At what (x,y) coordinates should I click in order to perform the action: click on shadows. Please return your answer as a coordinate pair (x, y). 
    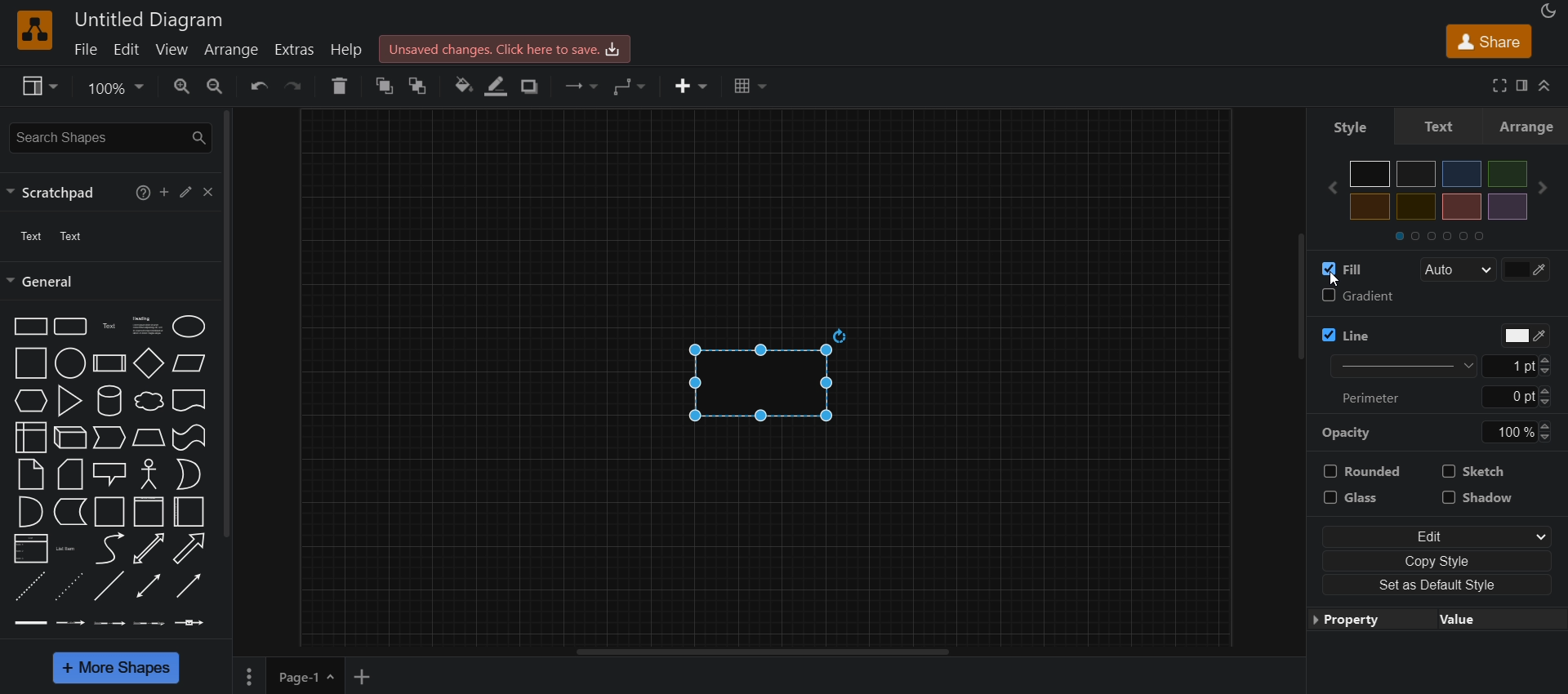
    Looking at the image, I should click on (529, 87).